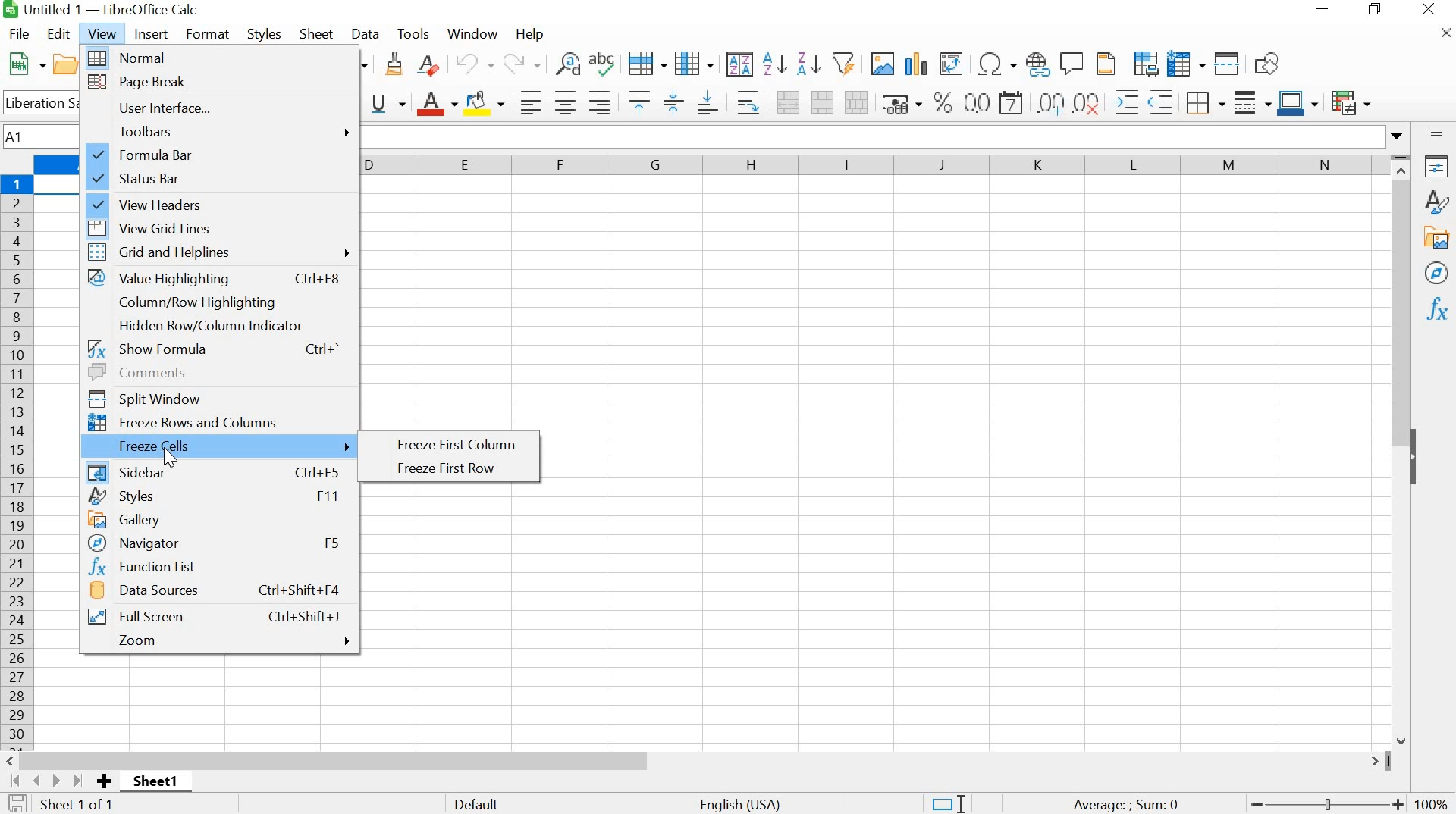 The width and height of the screenshot is (1456, 814). I want to click on OPEN, so click(71, 64).